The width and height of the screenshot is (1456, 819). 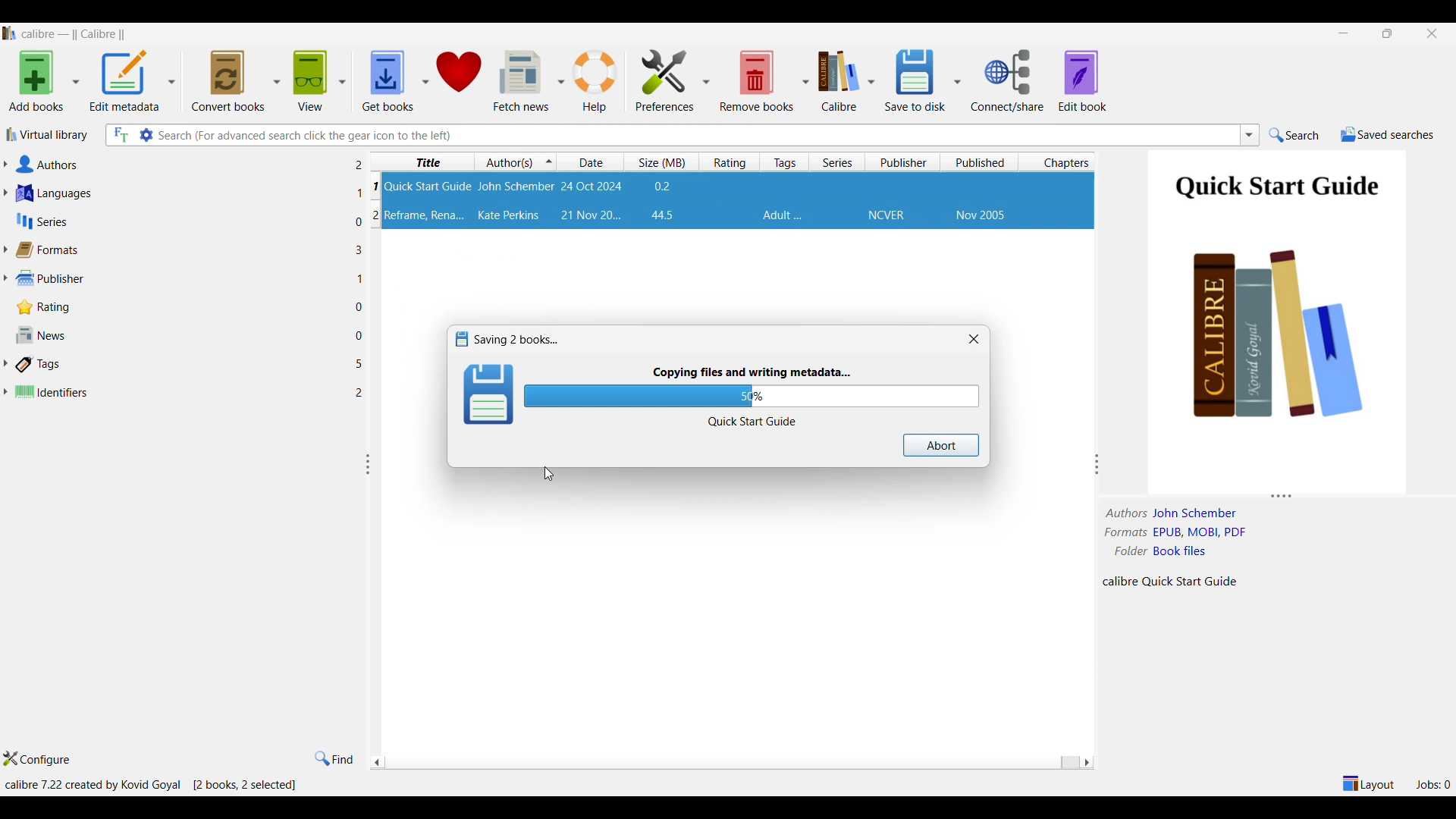 What do you see at coordinates (171, 193) in the screenshot?
I see `Languages` at bounding box center [171, 193].